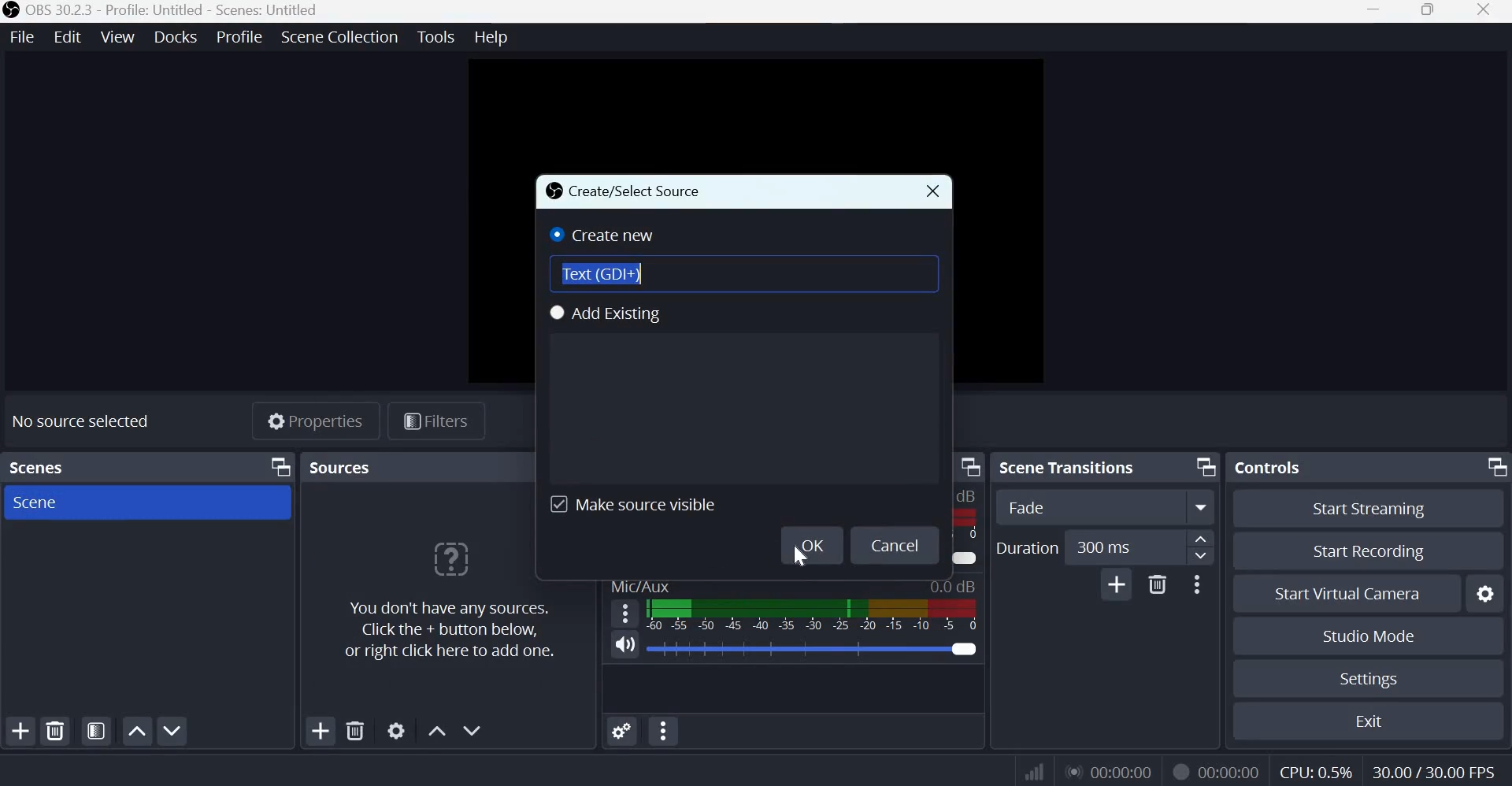  What do you see at coordinates (1204, 465) in the screenshot?
I see ` Dock Options icon` at bounding box center [1204, 465].